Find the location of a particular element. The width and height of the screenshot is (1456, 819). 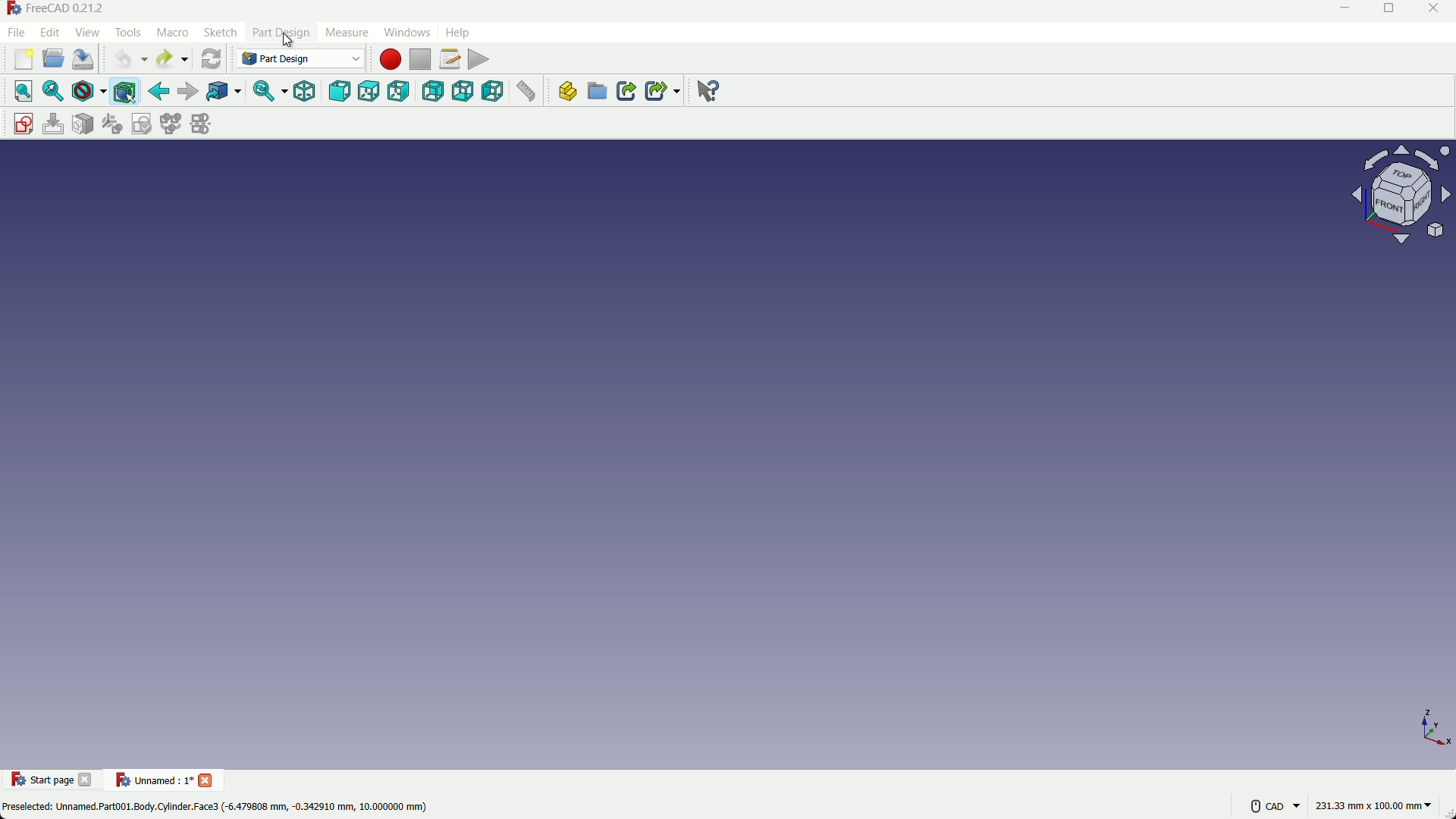

edit  is located at coordinates (50, 31).